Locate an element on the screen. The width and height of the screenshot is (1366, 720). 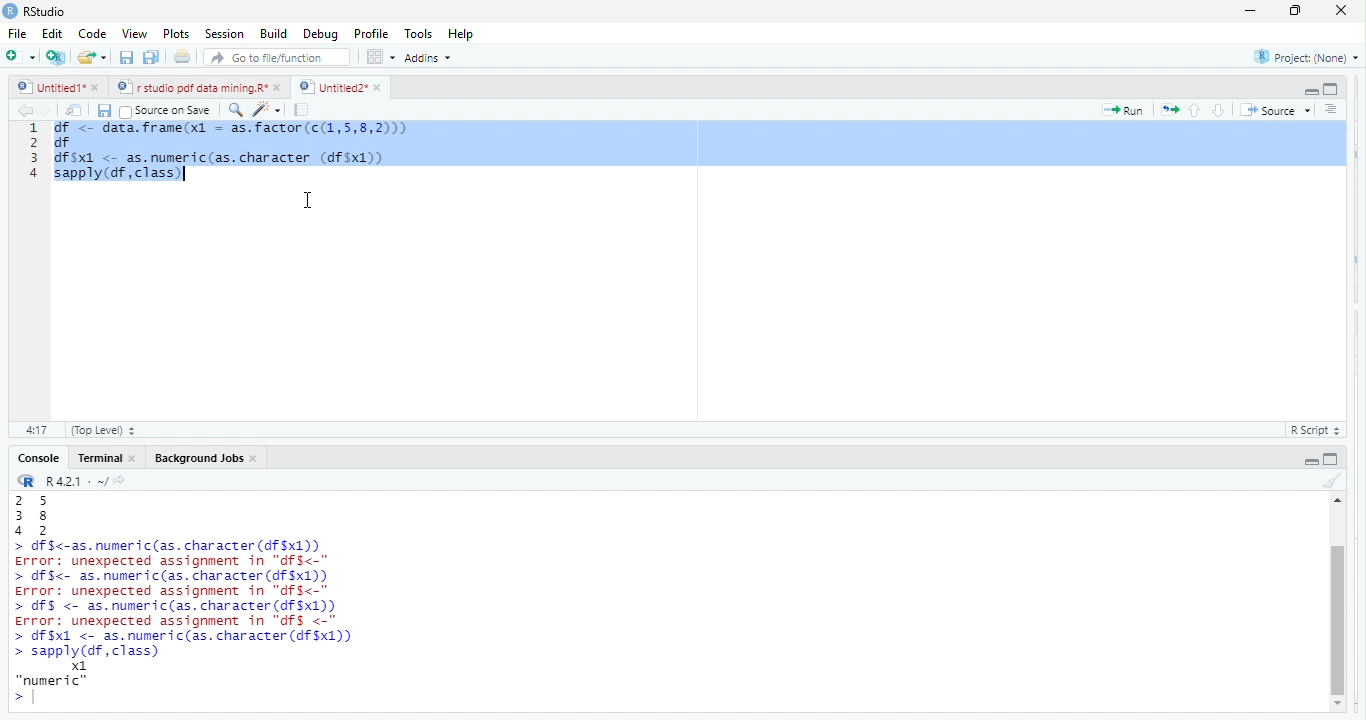
save current document is located at coordinates (105, 111).